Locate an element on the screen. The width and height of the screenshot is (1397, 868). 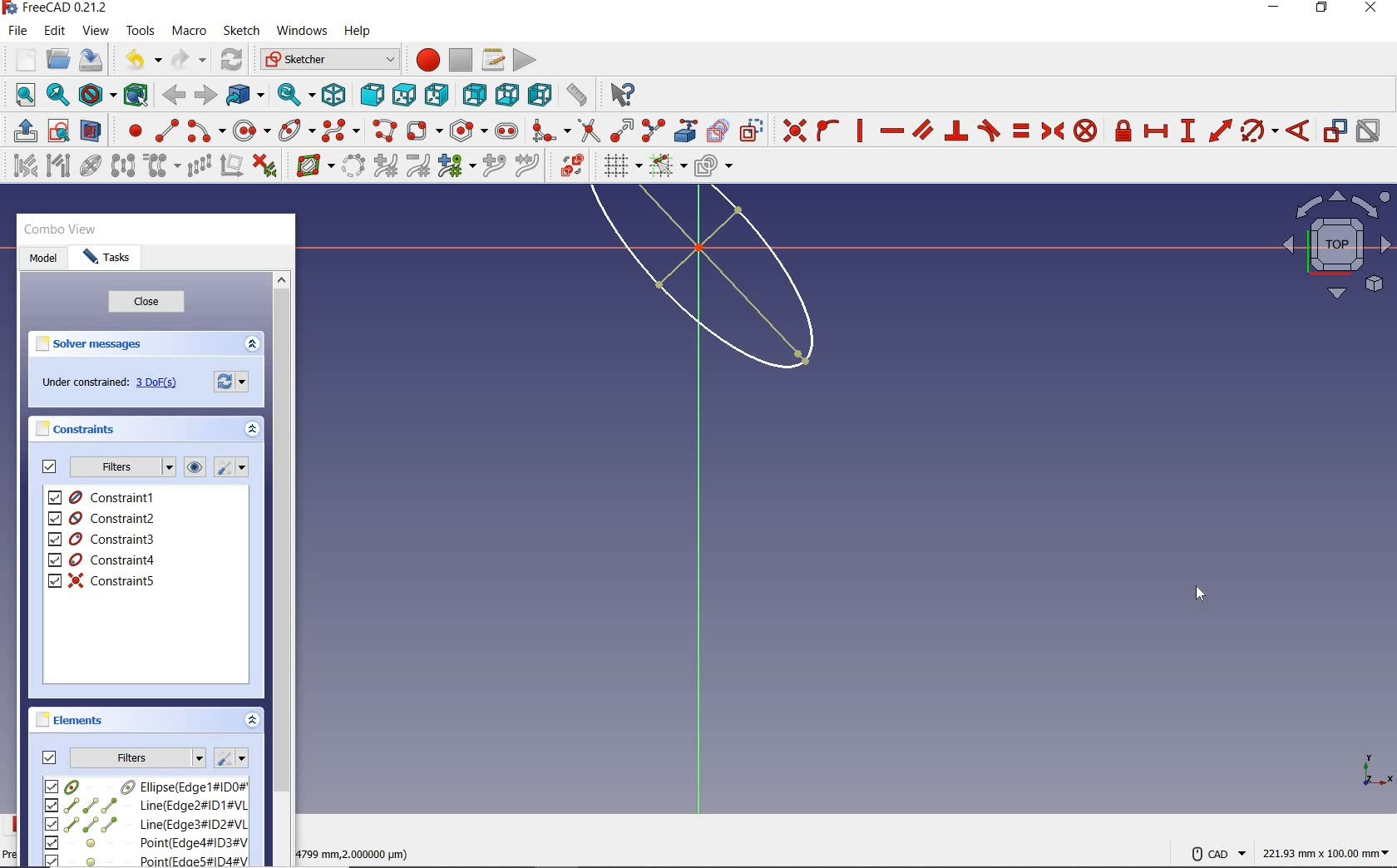
open is located at coordinates (58, 60).